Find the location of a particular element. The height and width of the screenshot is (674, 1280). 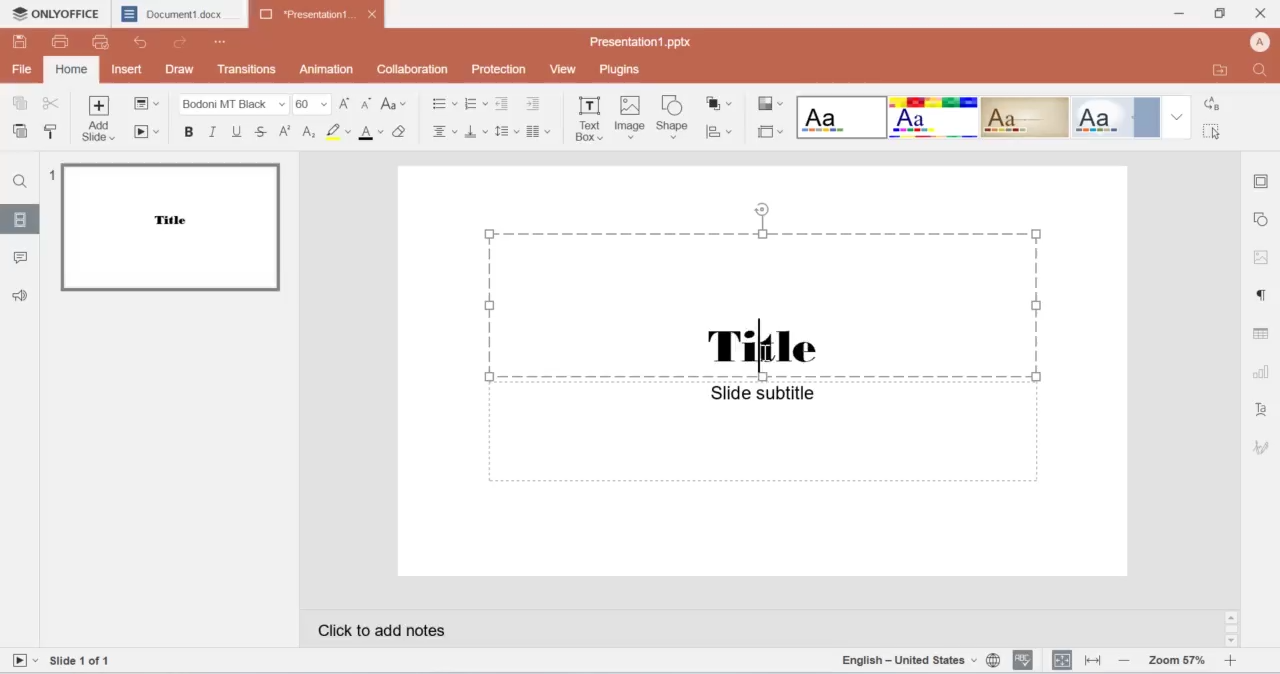

Menu is located at coordinates (222, 42).